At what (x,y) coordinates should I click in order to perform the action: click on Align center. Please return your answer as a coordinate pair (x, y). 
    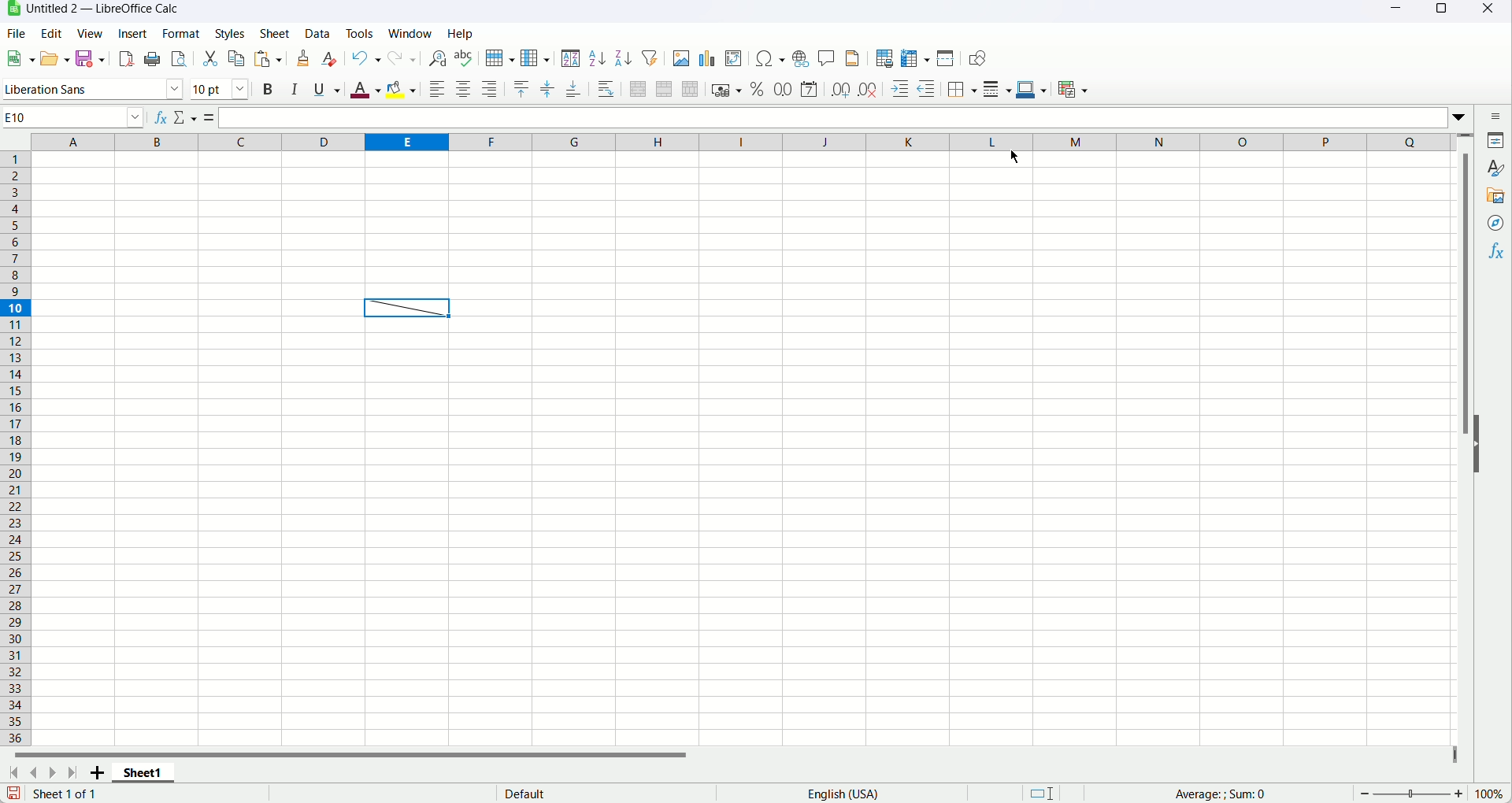
    Looking at the image, I should click on (464, 91).